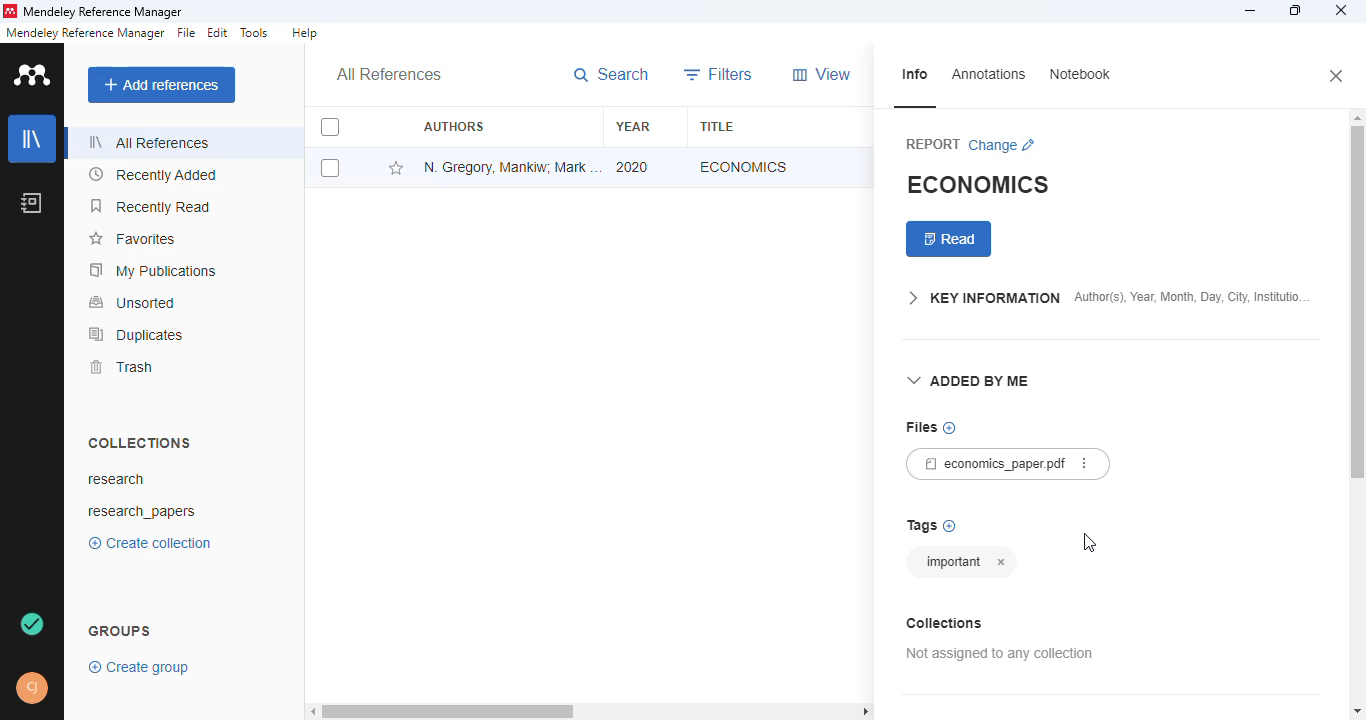  What do you see at coordinates (85, 32) in the screenshot?
I see `mendeley reference manager` at bounding box center [85, 32].